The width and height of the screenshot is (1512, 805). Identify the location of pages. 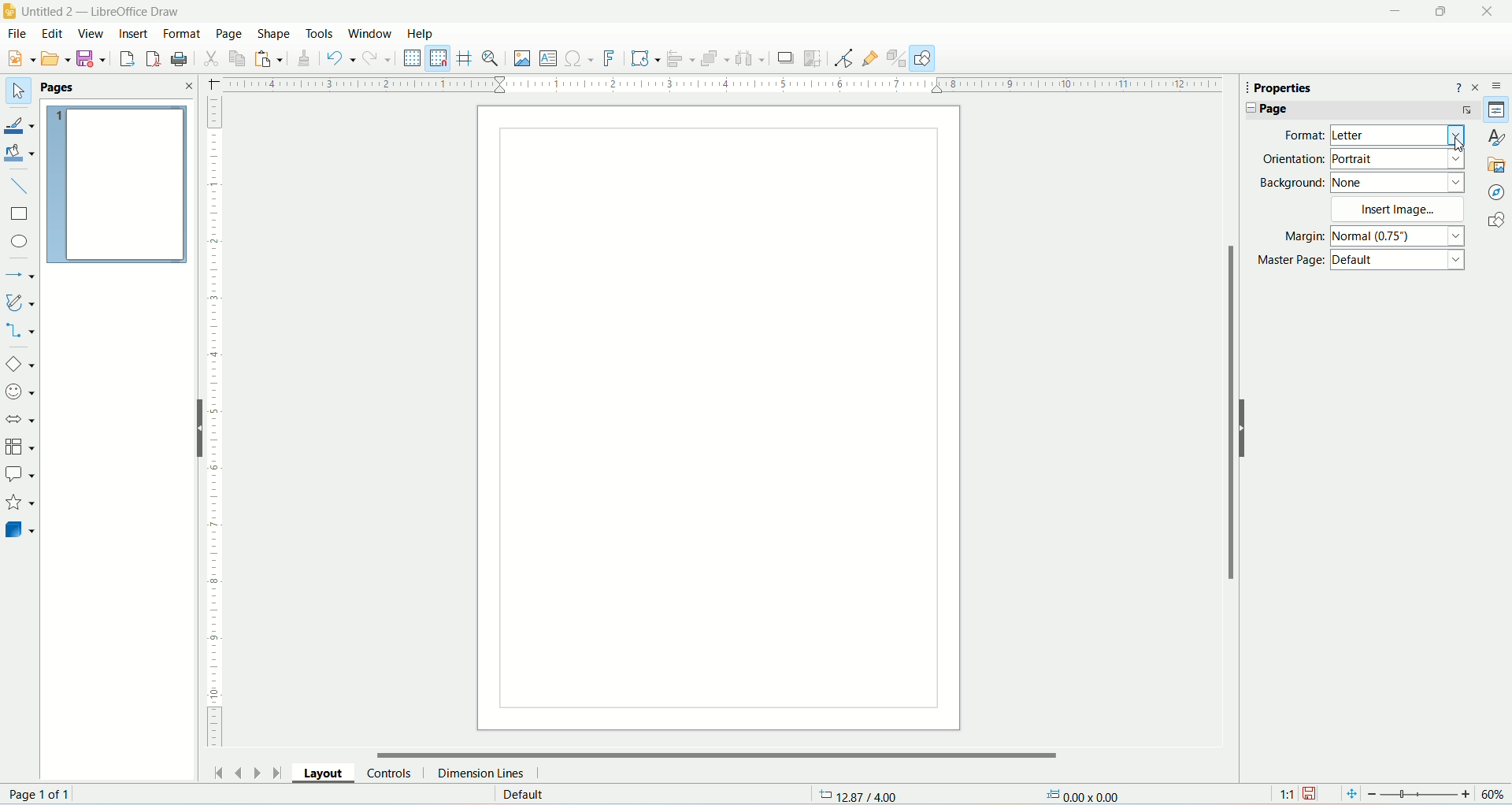
(117, 184).